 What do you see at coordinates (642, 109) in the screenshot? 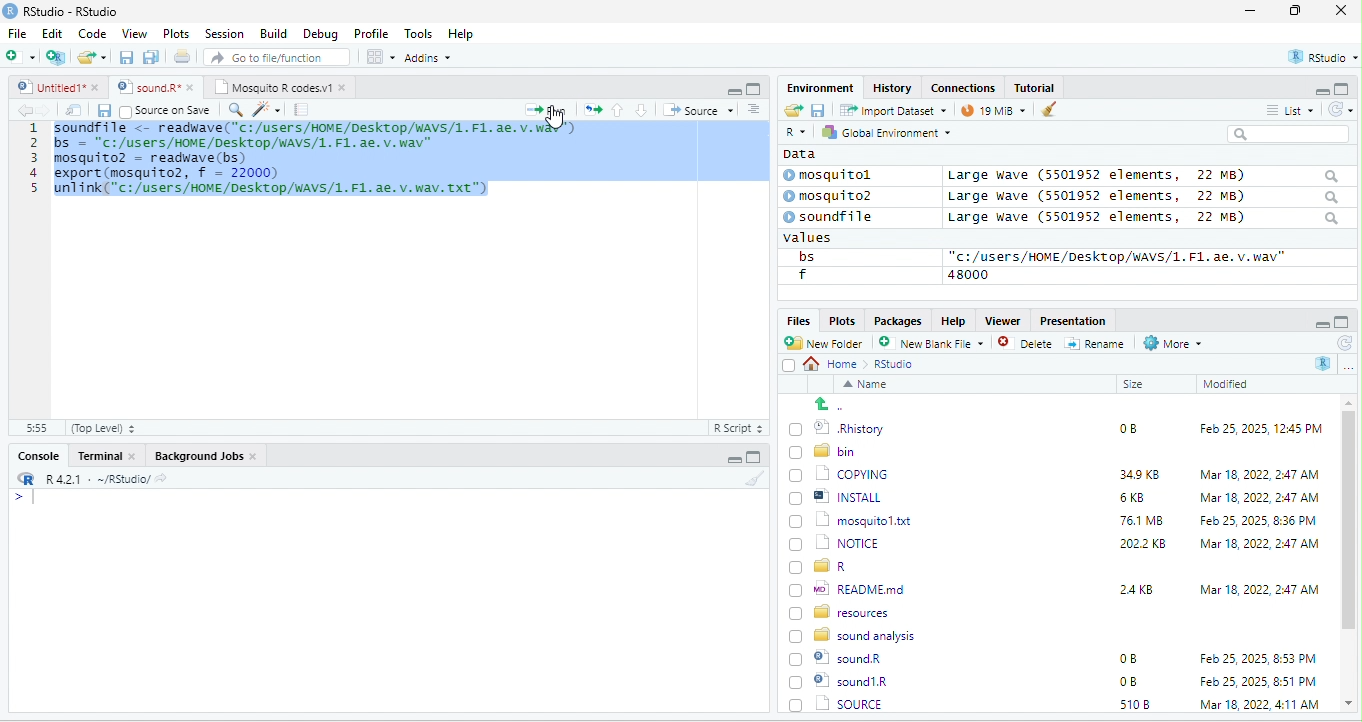
I see `down` at bounding box center [642, 109].